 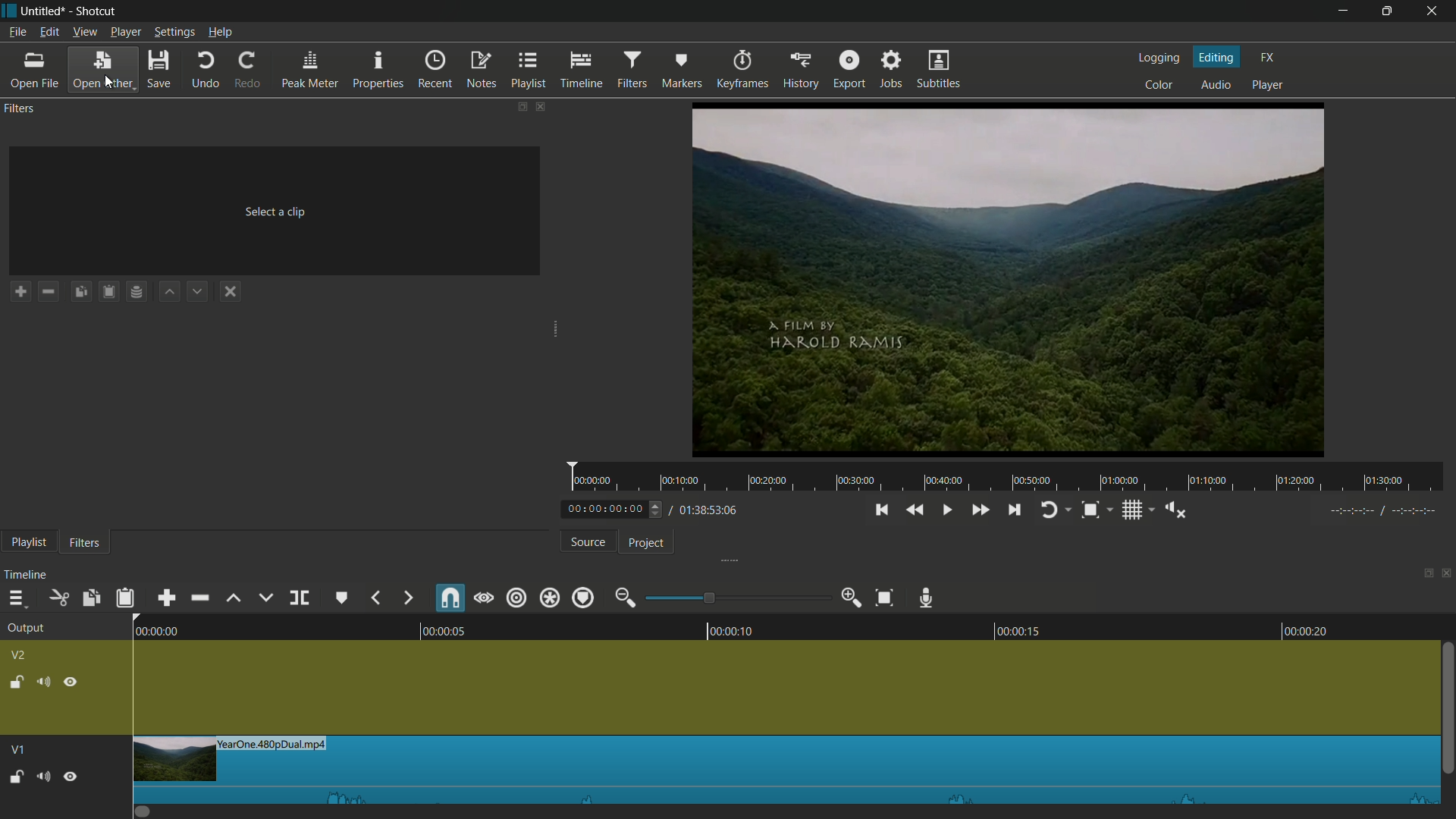 I want to click on filters, so click(x=631, y=71).